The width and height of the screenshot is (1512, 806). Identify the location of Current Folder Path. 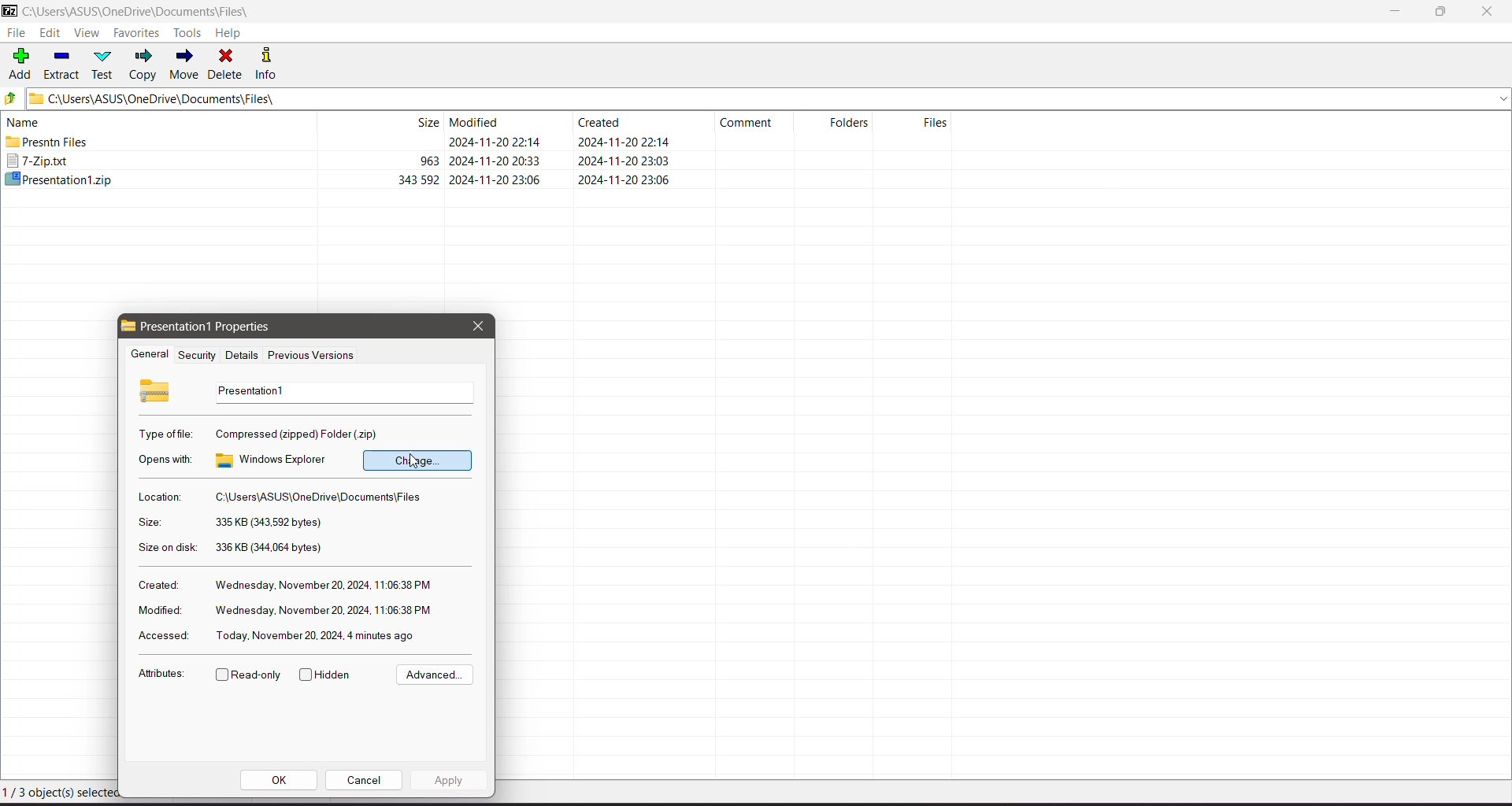
(769, 98).